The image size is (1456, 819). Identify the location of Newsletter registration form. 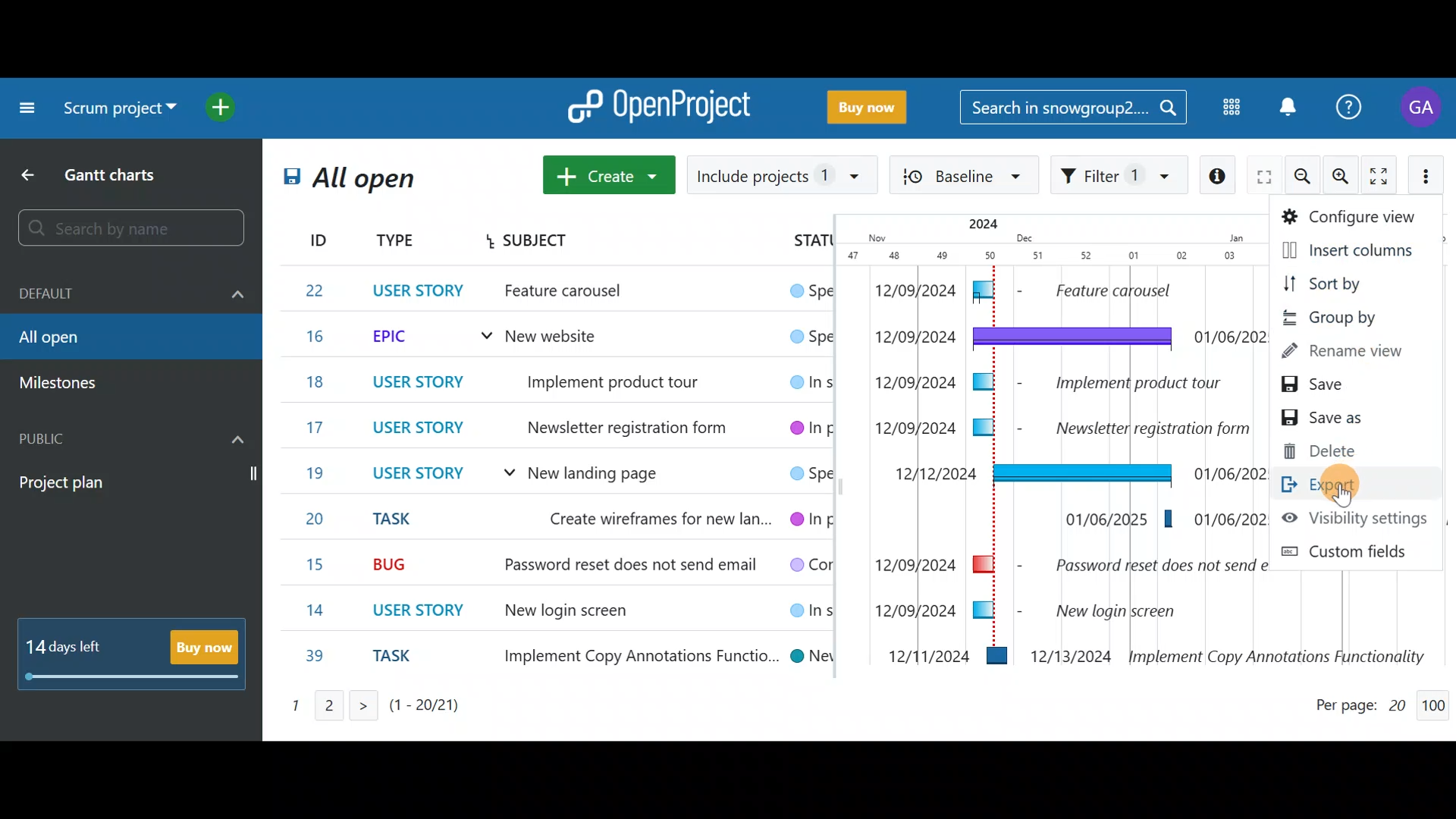
(627, 425).